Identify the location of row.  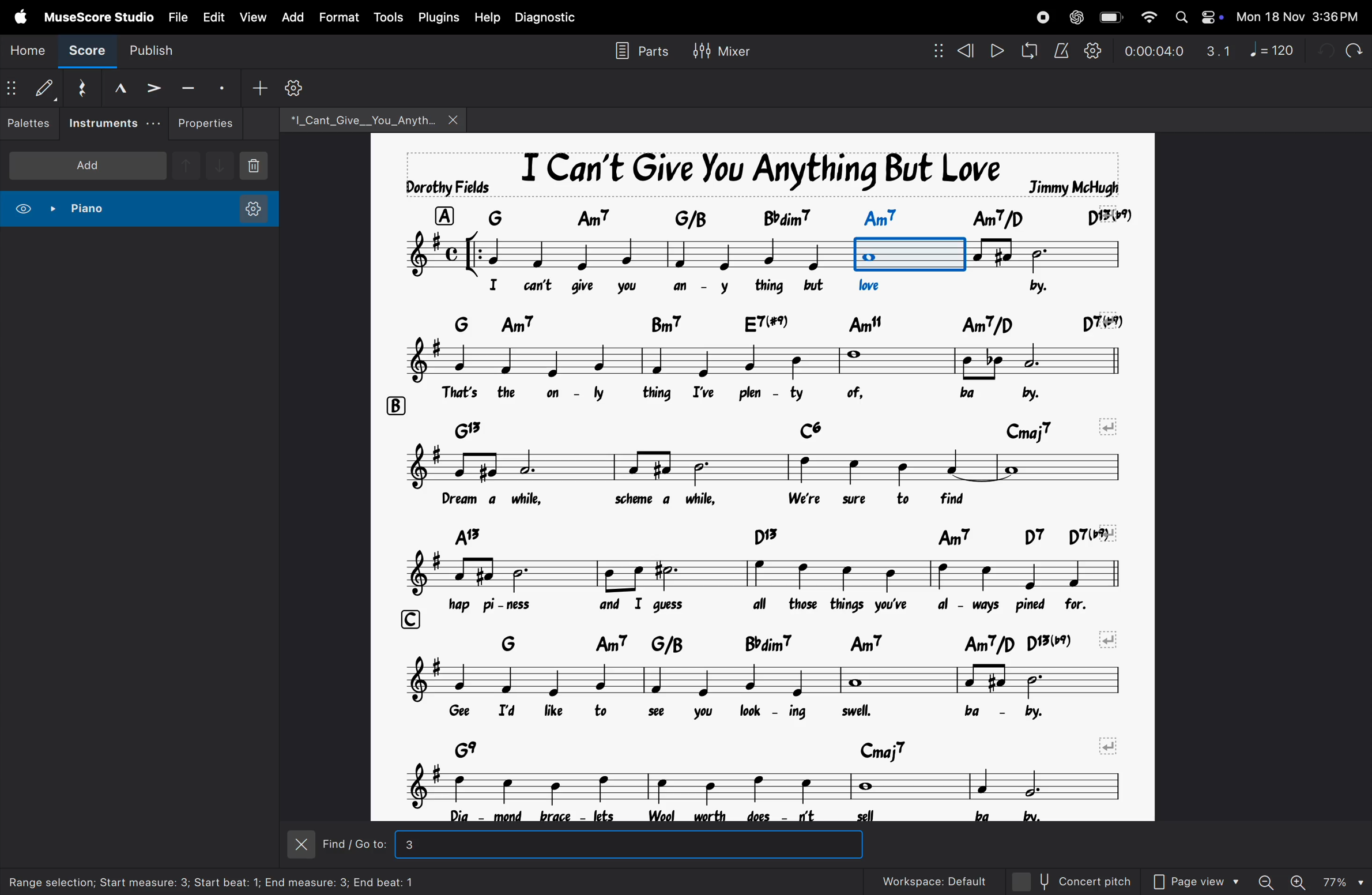
(412, 619).